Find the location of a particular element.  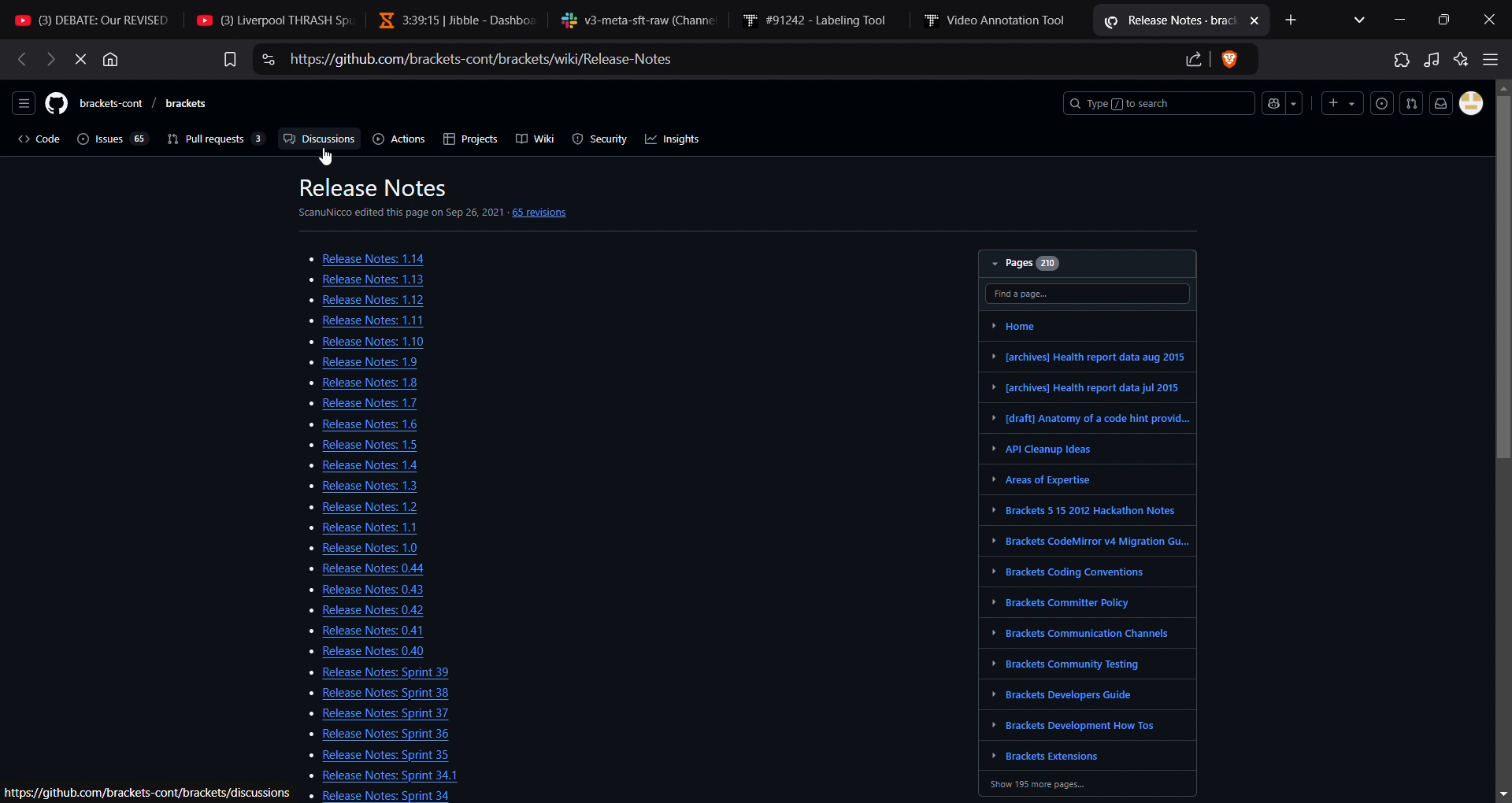

Type to search is located at coordinates (1154, 102).